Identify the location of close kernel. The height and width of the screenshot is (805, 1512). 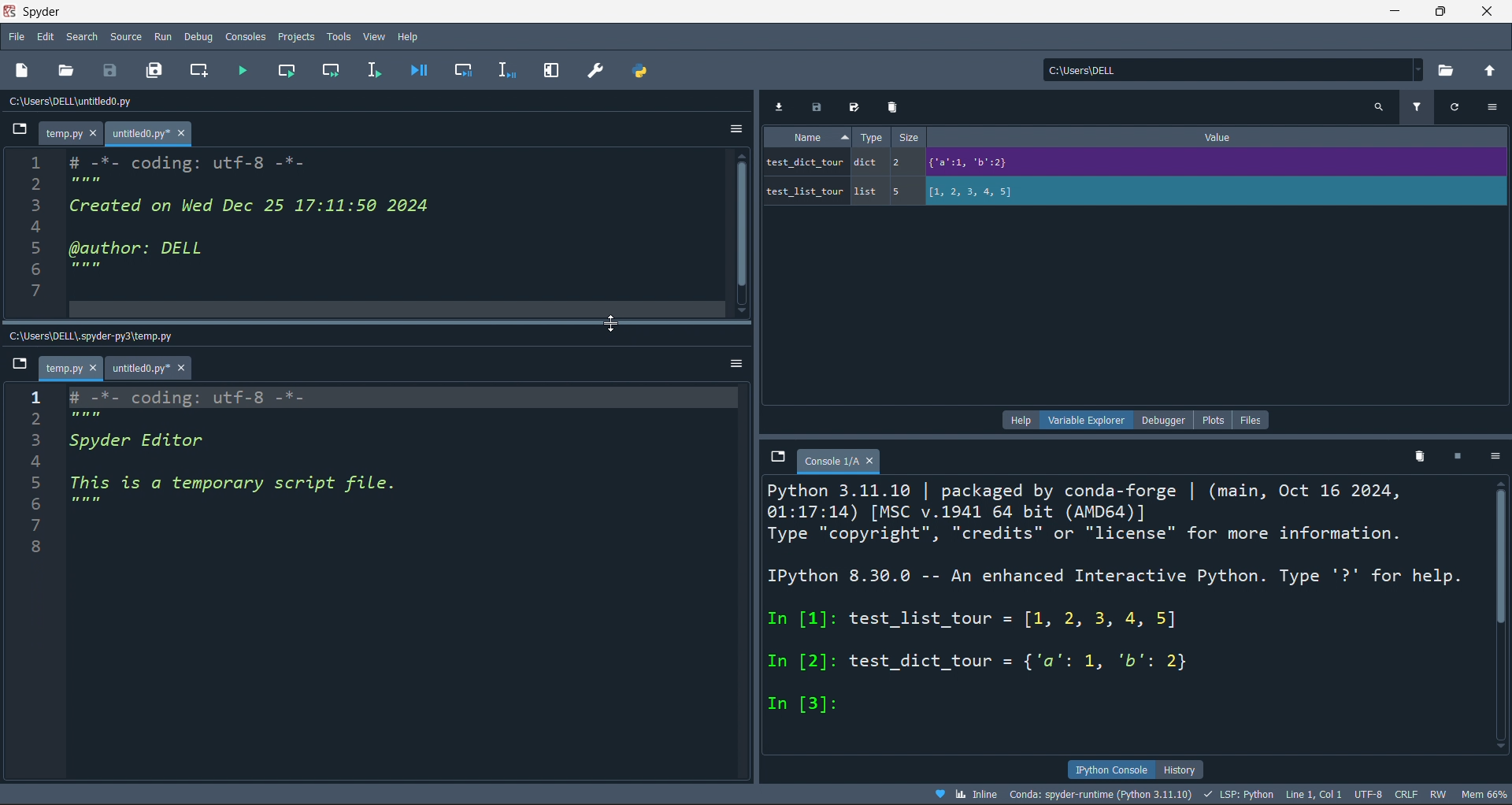
(1457, 459).